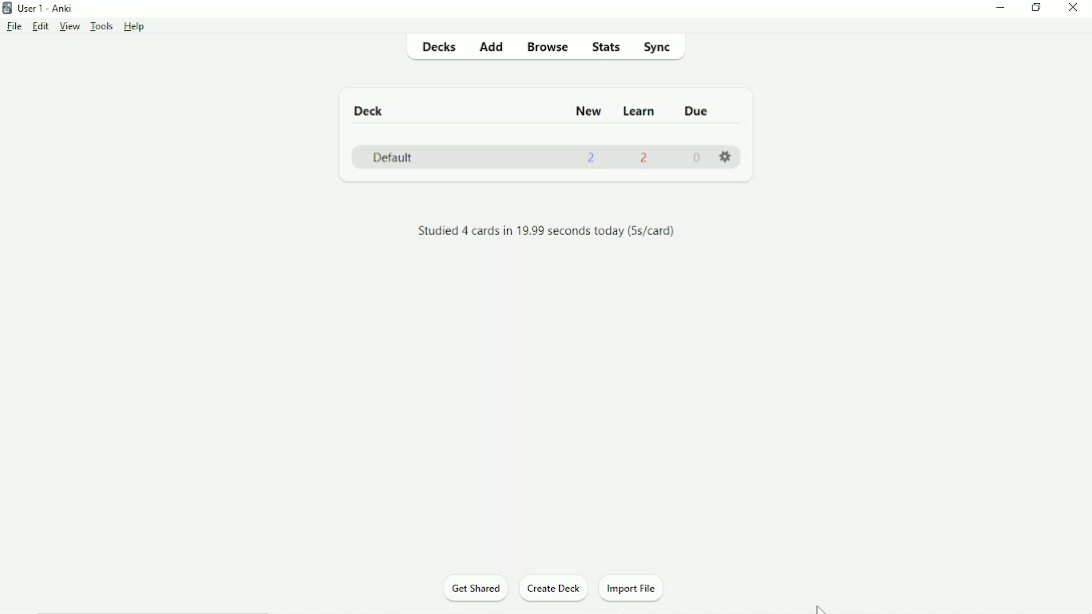 The image size is (1092, 614). Describe the element at coordinates (553, 232) in the screenshot. I see `Studied 4 cards in 19.99 seconds today (5s/card).` at that location.